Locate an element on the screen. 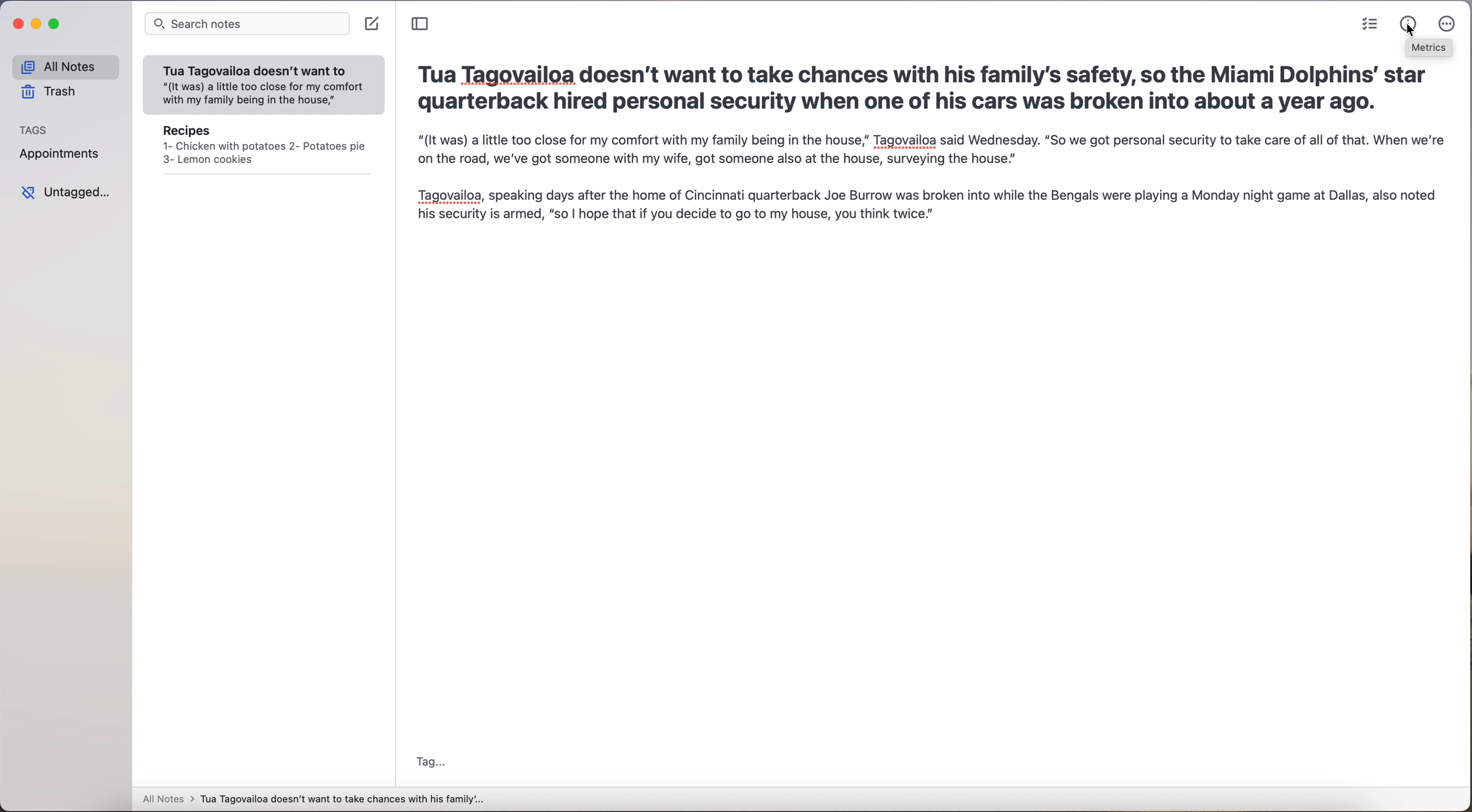 This screenshot has width=1472, height=812. Recipes
1- Chicken with potatoes 2- Potatoes pie
3- Lemon cookies is located at coordinates (263, 147).